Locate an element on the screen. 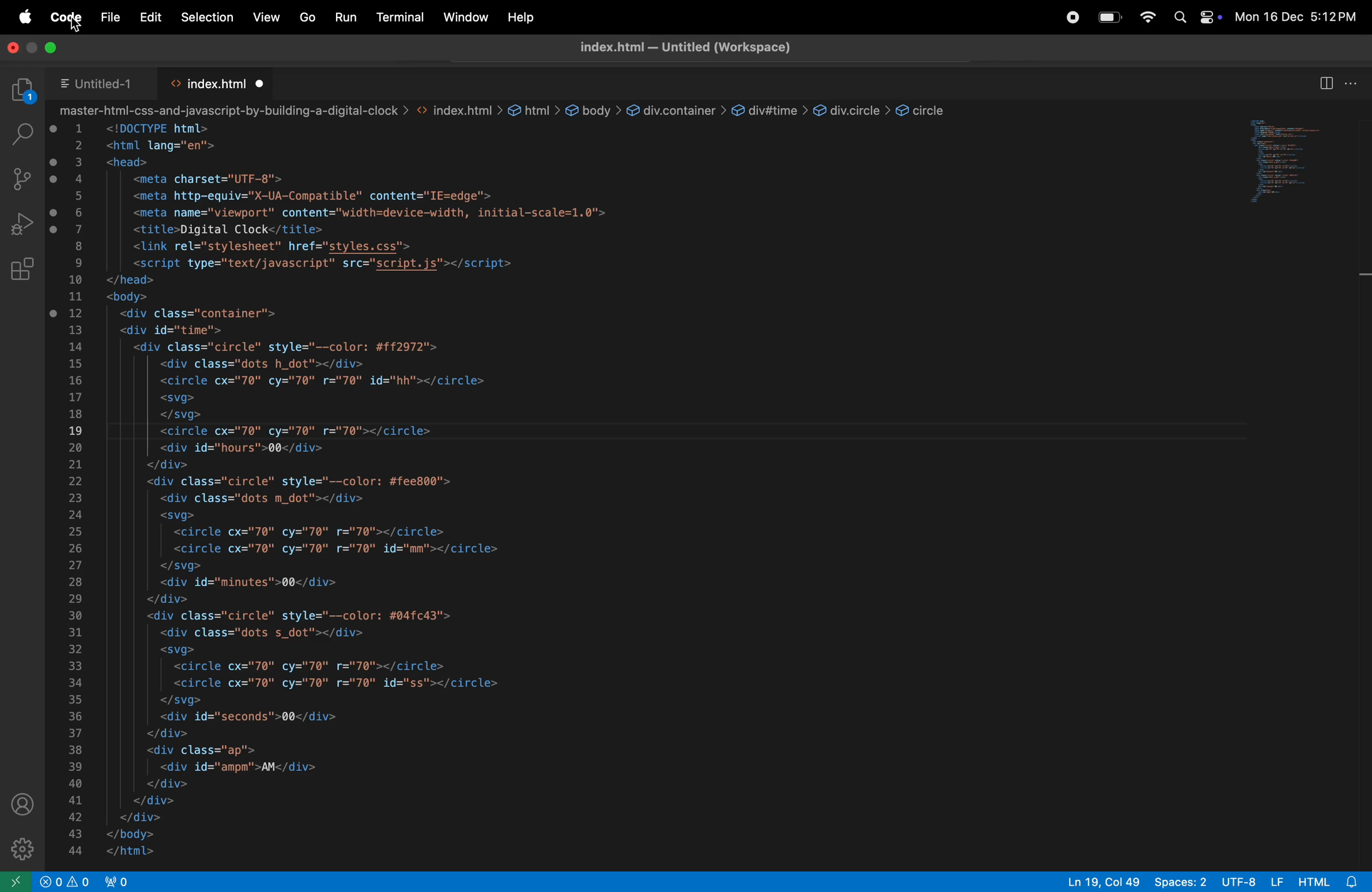 The width and height of the screenshot is (1372, 892). | <svg> is located at coordinates (178, 398).